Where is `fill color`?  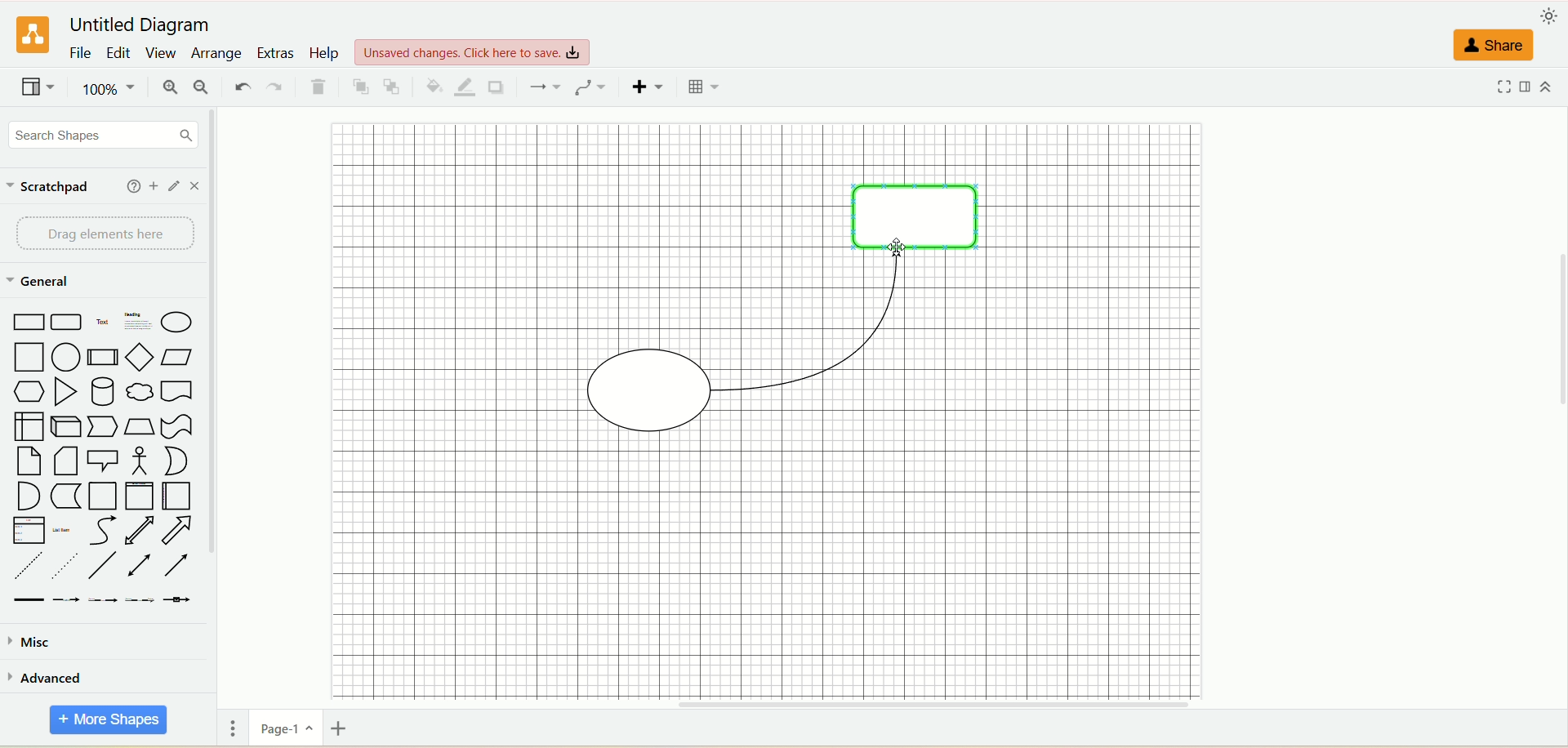 fill color is located at coordinates (428, 87).